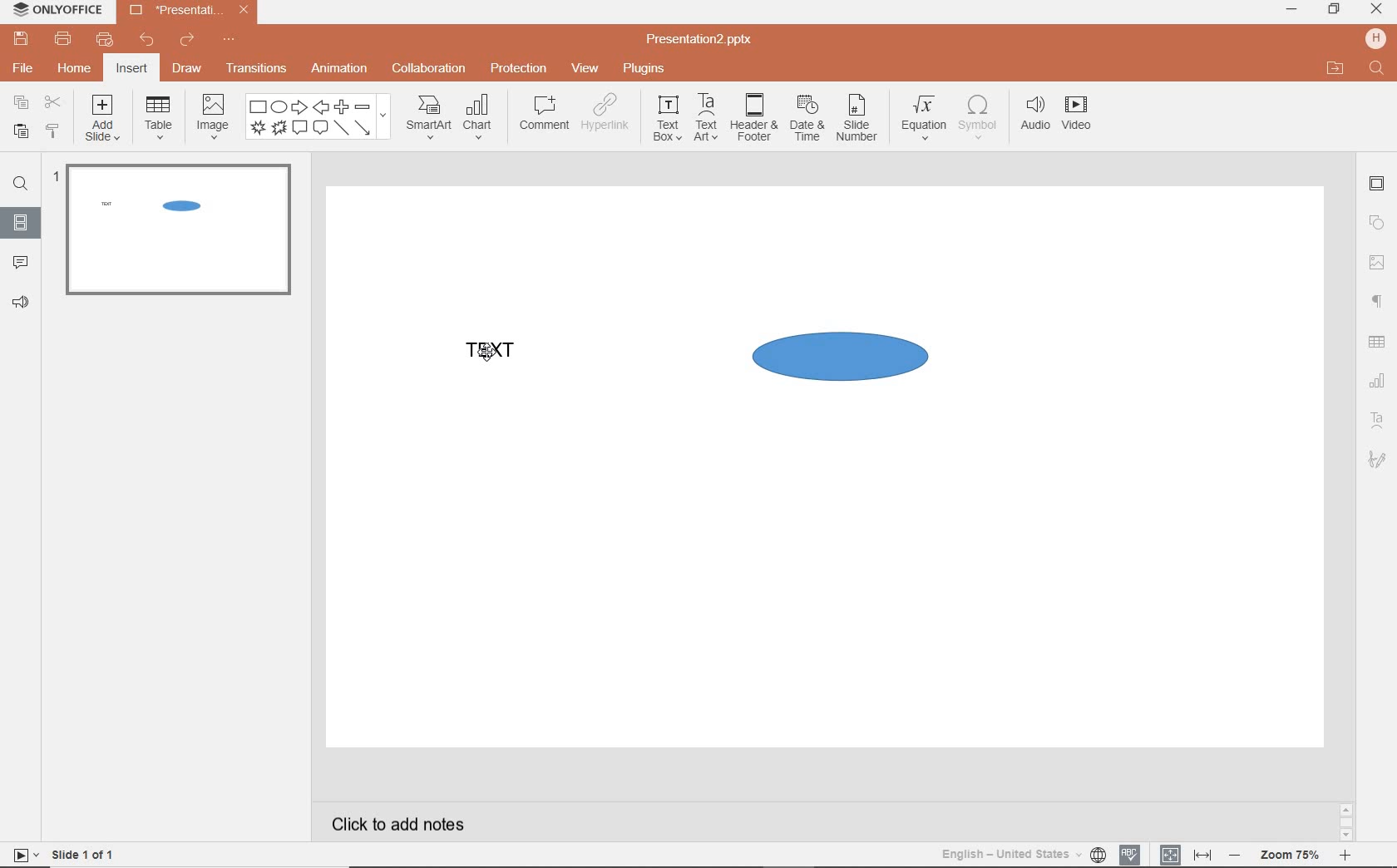 This screenshot has height=868, width=1397. Describe the element at coordinates (1377, 38) in the screenshot. I see `HP` at that location.